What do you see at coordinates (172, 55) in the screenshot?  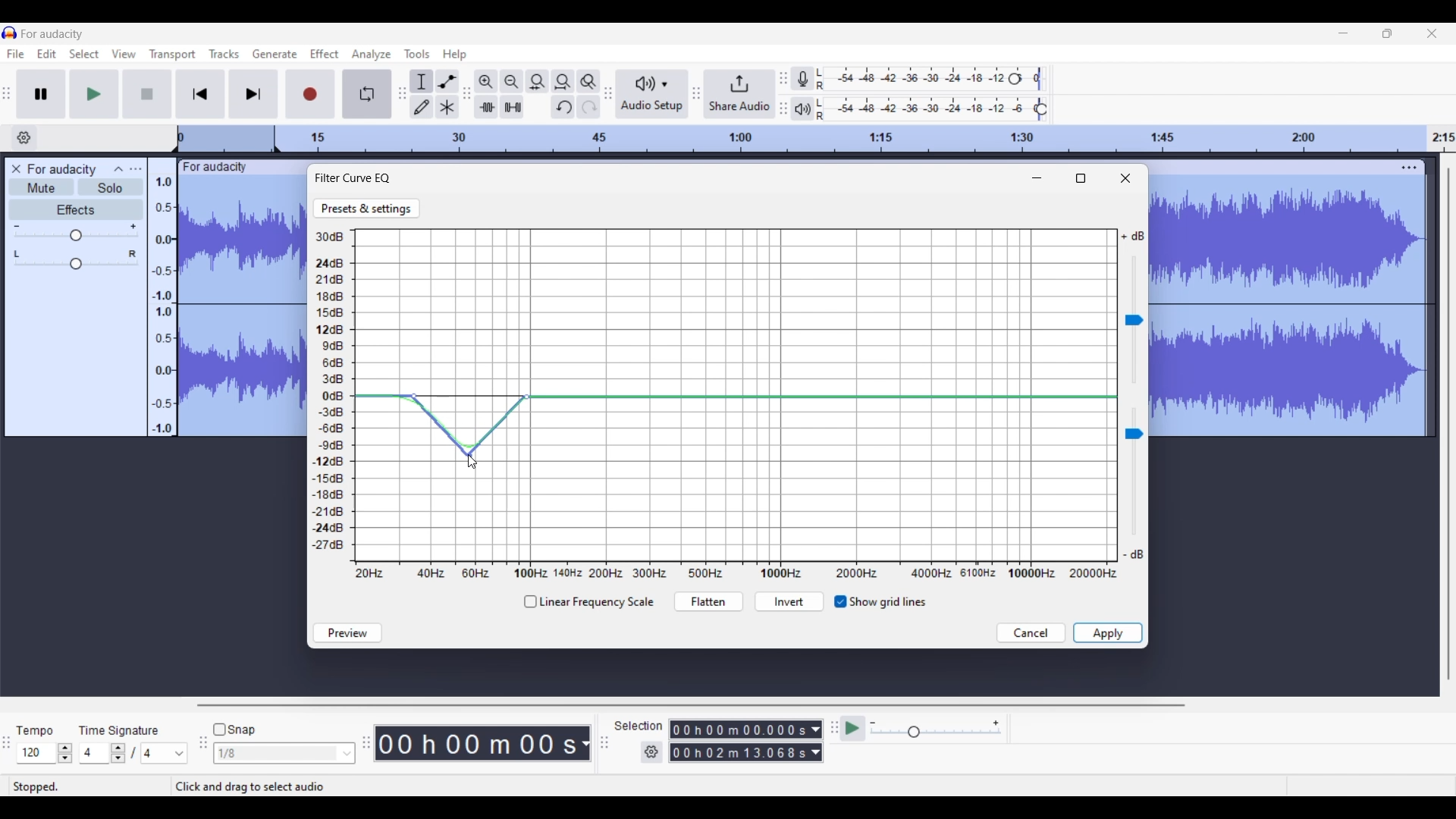 I see `Transport menu` at bounding box center [172, 55].